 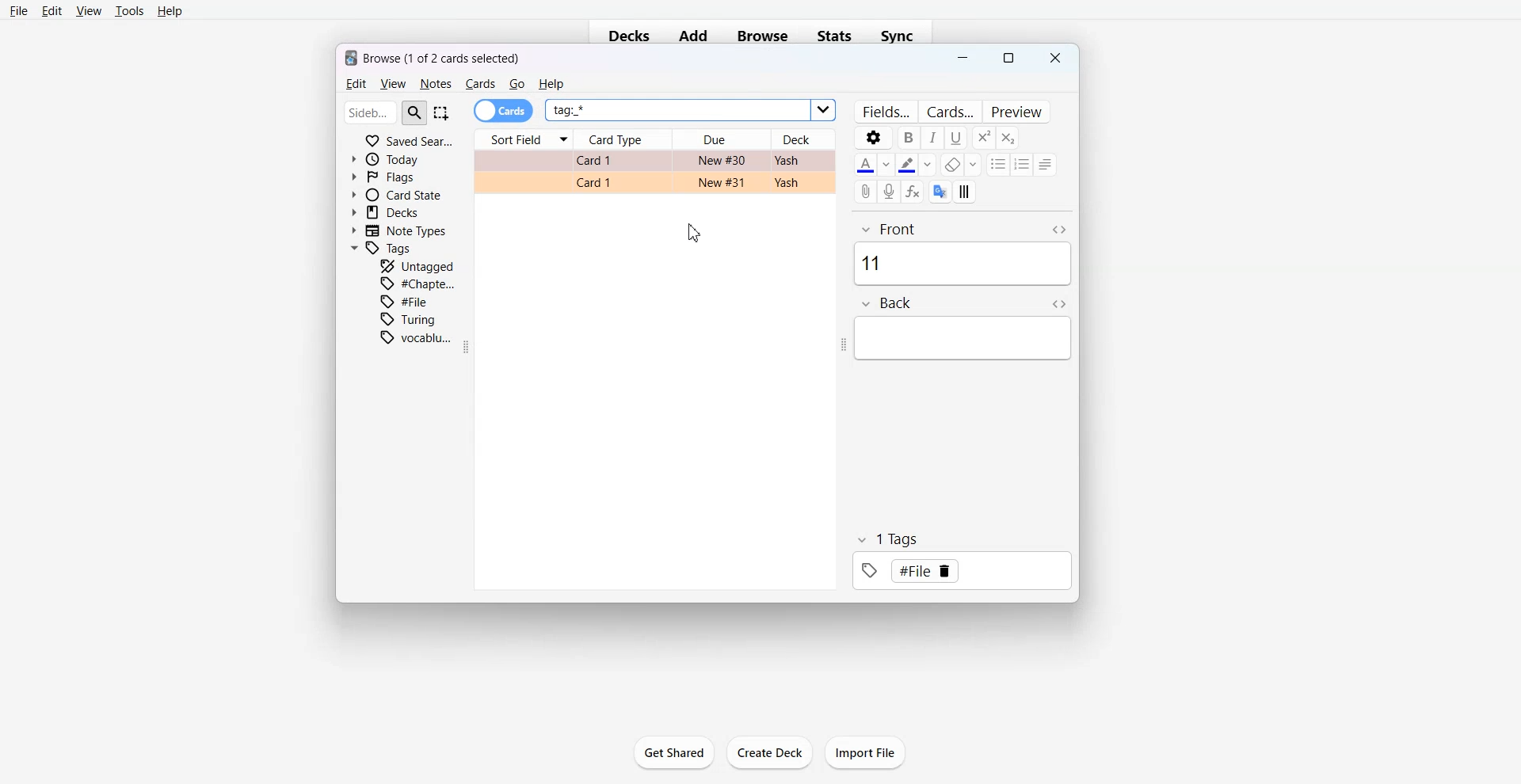 What do you see at coordinates (867, 192) in the screenshot?
I see `Attached File` at bounding box center [867, 192].